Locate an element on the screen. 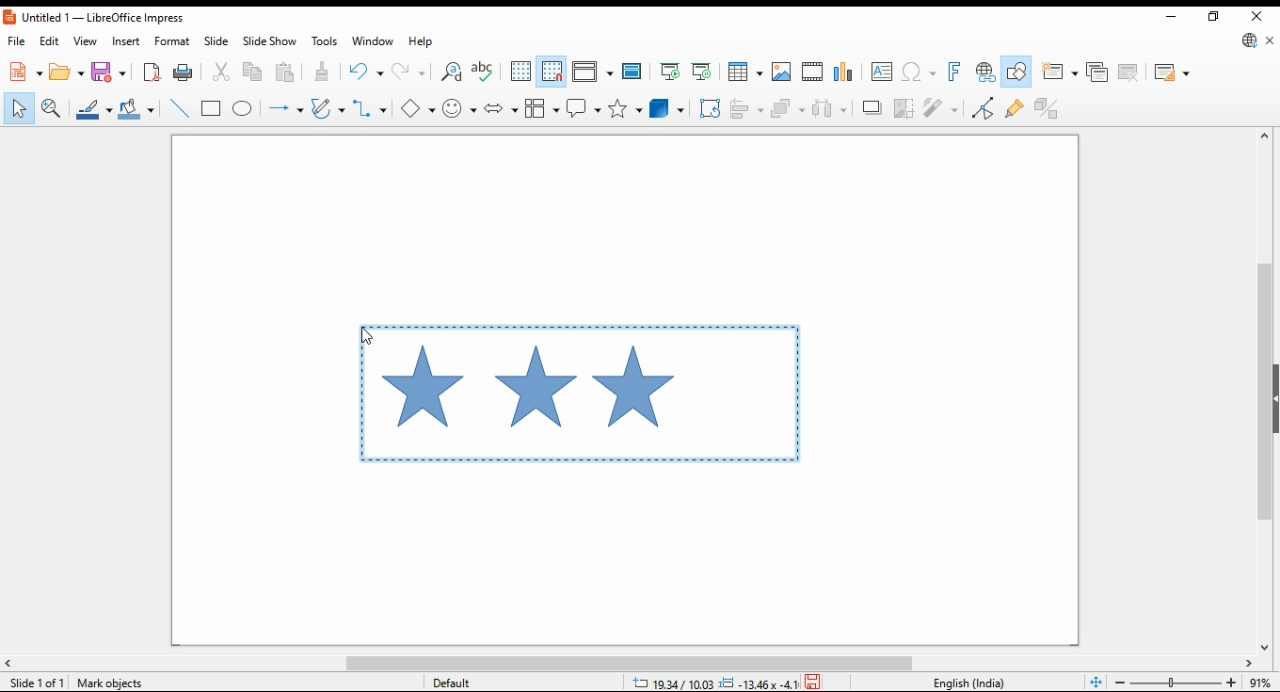 The width and height of the screenshot is (1280, 692). insert charts is located at coordinates (844, 72).